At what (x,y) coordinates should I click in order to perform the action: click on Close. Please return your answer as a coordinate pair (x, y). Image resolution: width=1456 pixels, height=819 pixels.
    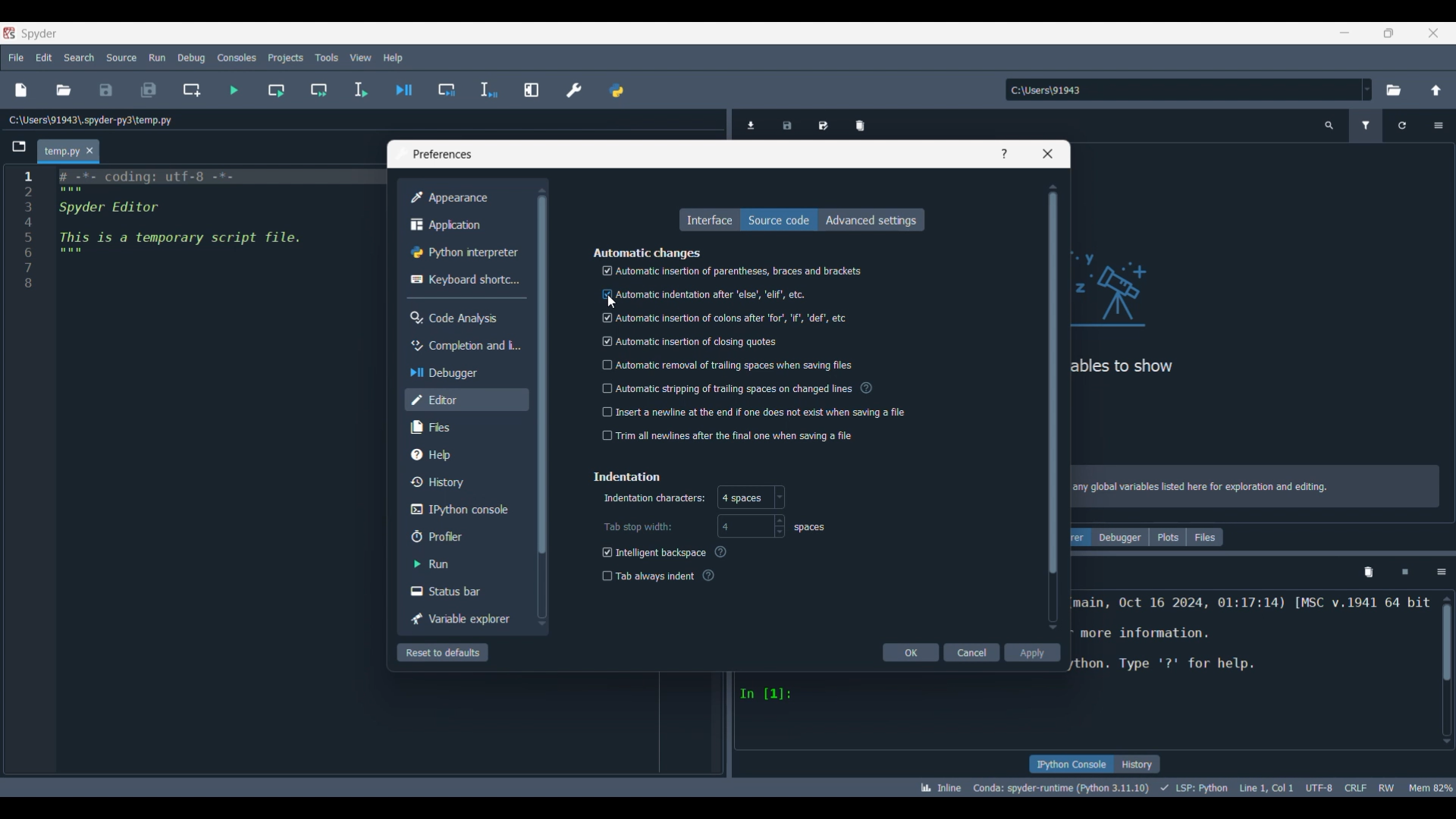
    Looking at the image, I should click on (89, 150).